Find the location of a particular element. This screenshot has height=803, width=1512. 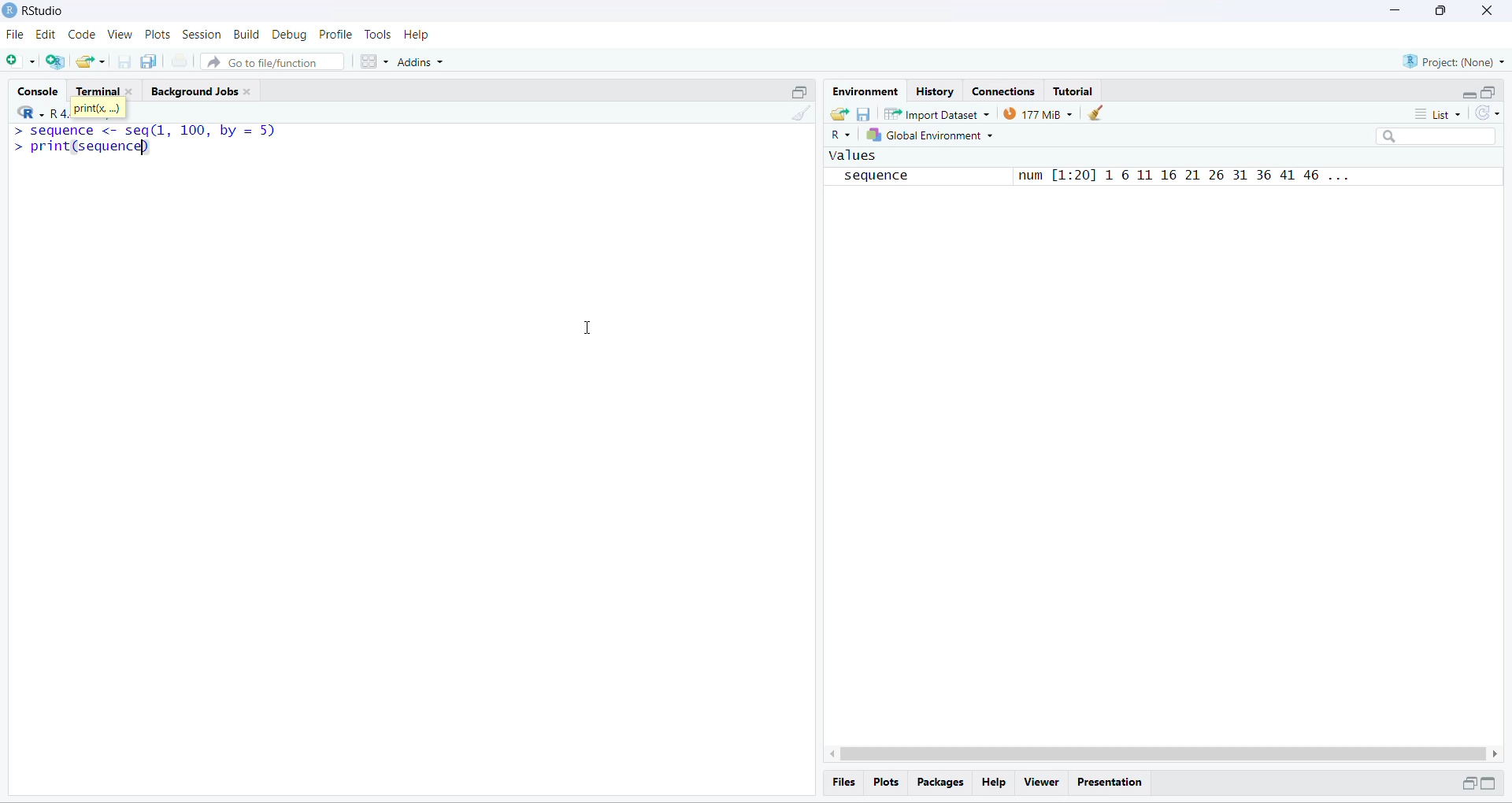

open in separate window is located at coordinates (1467, 783).